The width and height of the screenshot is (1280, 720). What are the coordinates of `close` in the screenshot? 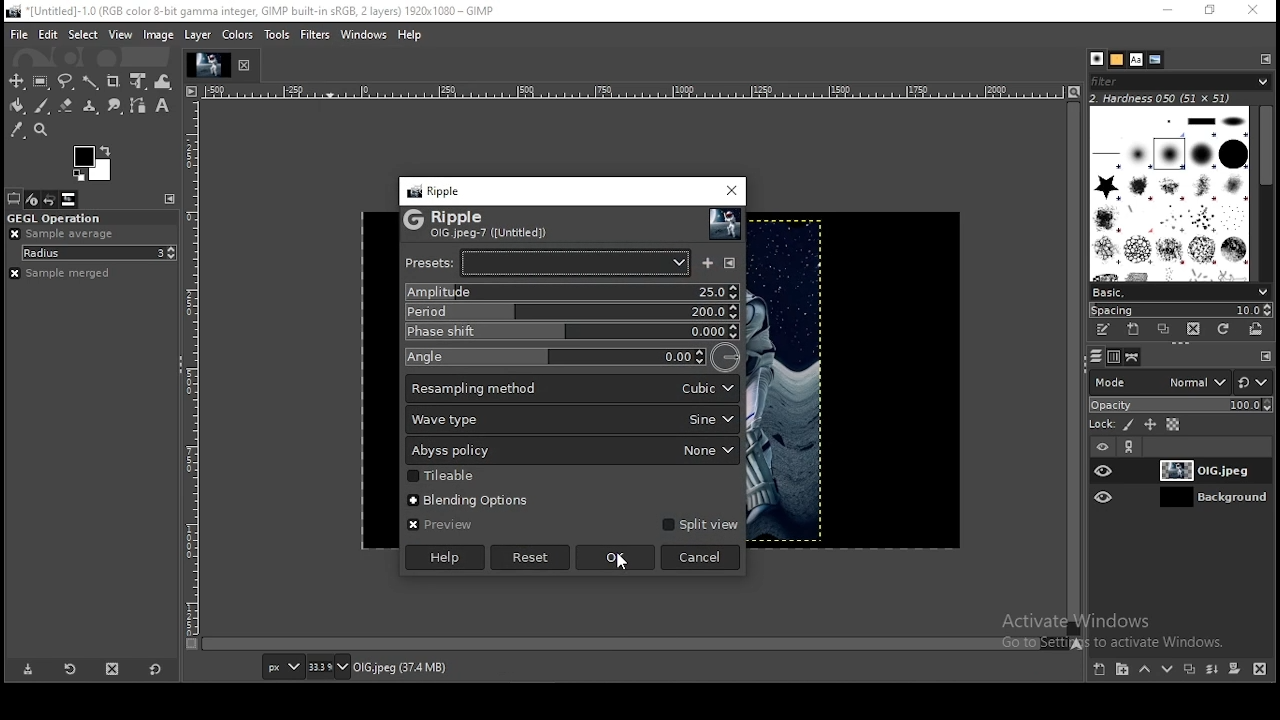 It's located at (250, 67).